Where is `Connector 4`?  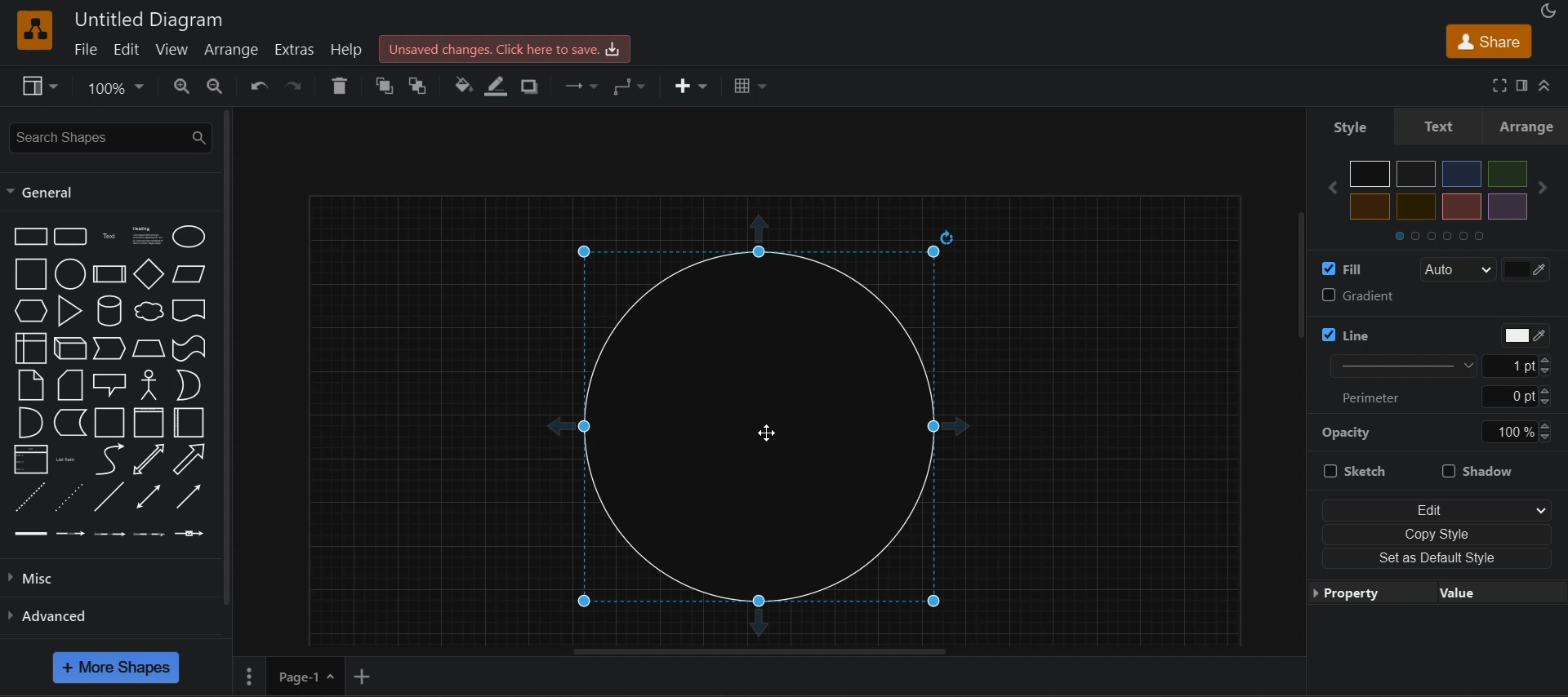
Connector 4 is located at coordinates (147, 534).